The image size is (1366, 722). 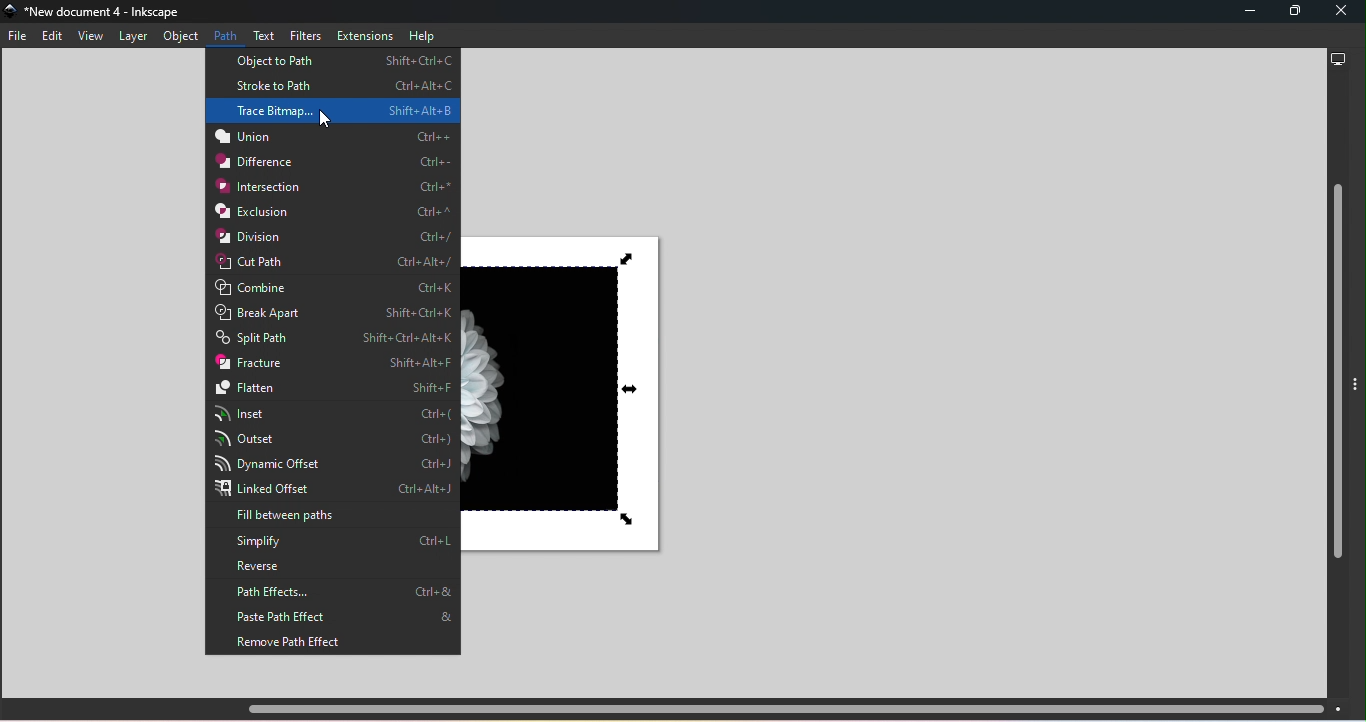 What do you see at coordinates (333, 187) in the screenshot?
I see `Interaction` at bounding box center [333, 187].